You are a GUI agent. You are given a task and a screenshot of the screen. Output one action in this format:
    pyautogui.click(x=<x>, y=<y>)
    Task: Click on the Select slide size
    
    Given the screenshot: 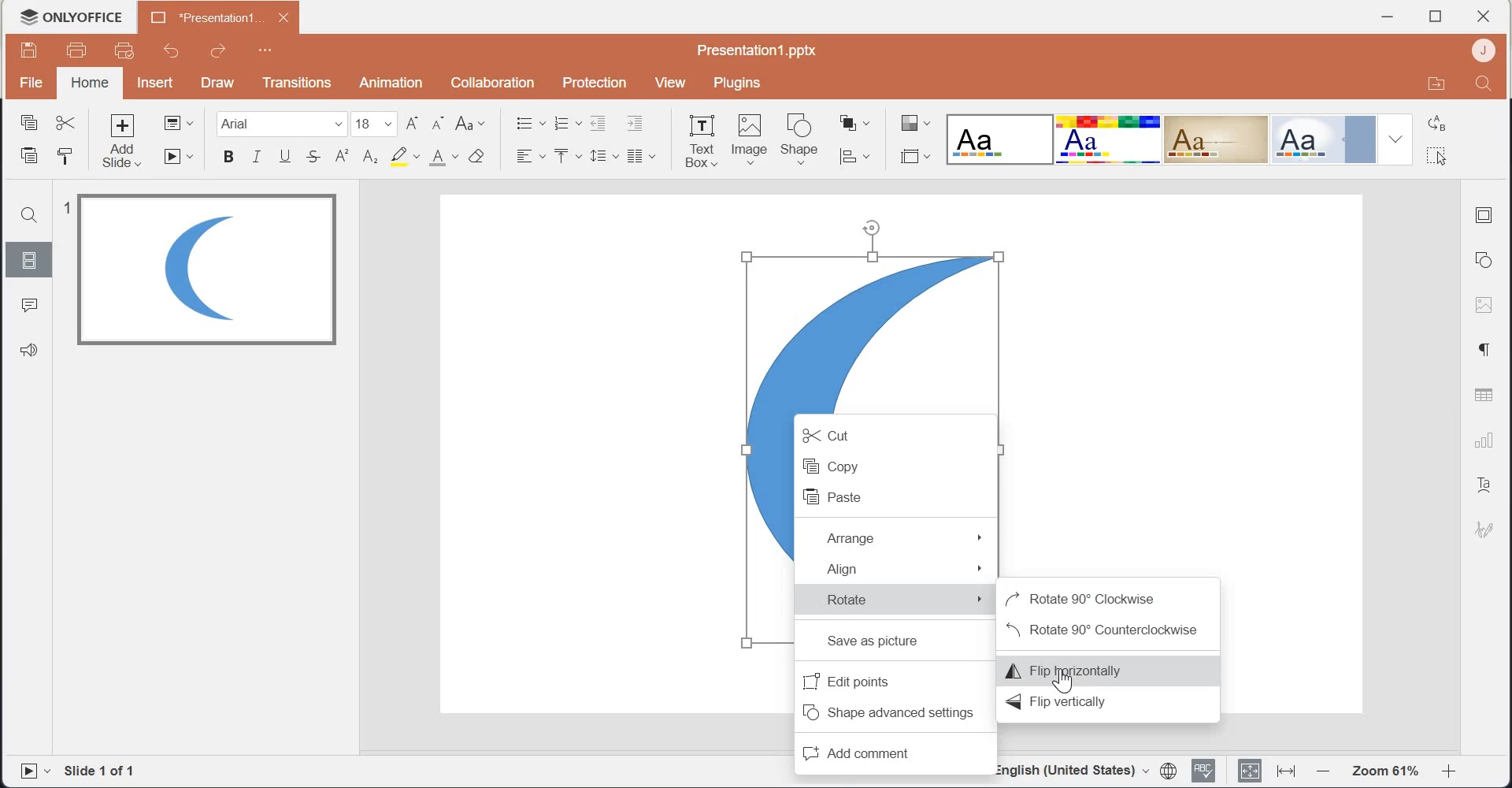 What is the action you would take?
    pyautogui.click(x=914, y=158)
    